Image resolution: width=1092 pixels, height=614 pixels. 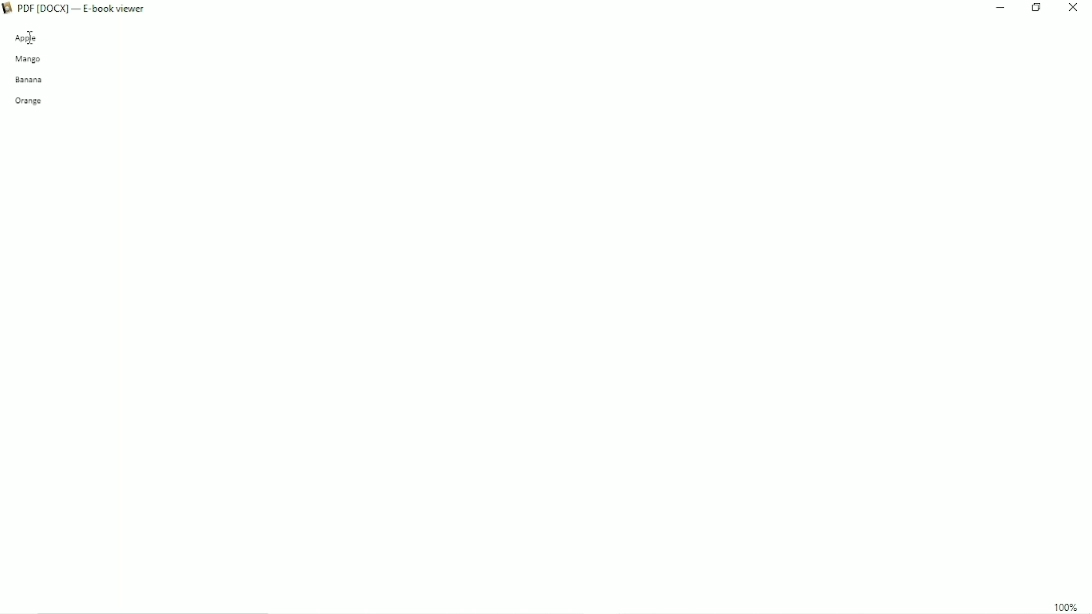 What do you see at coordinates (30, 80) in the screenshot?
I see `banana` at bounding box center [30, 80].